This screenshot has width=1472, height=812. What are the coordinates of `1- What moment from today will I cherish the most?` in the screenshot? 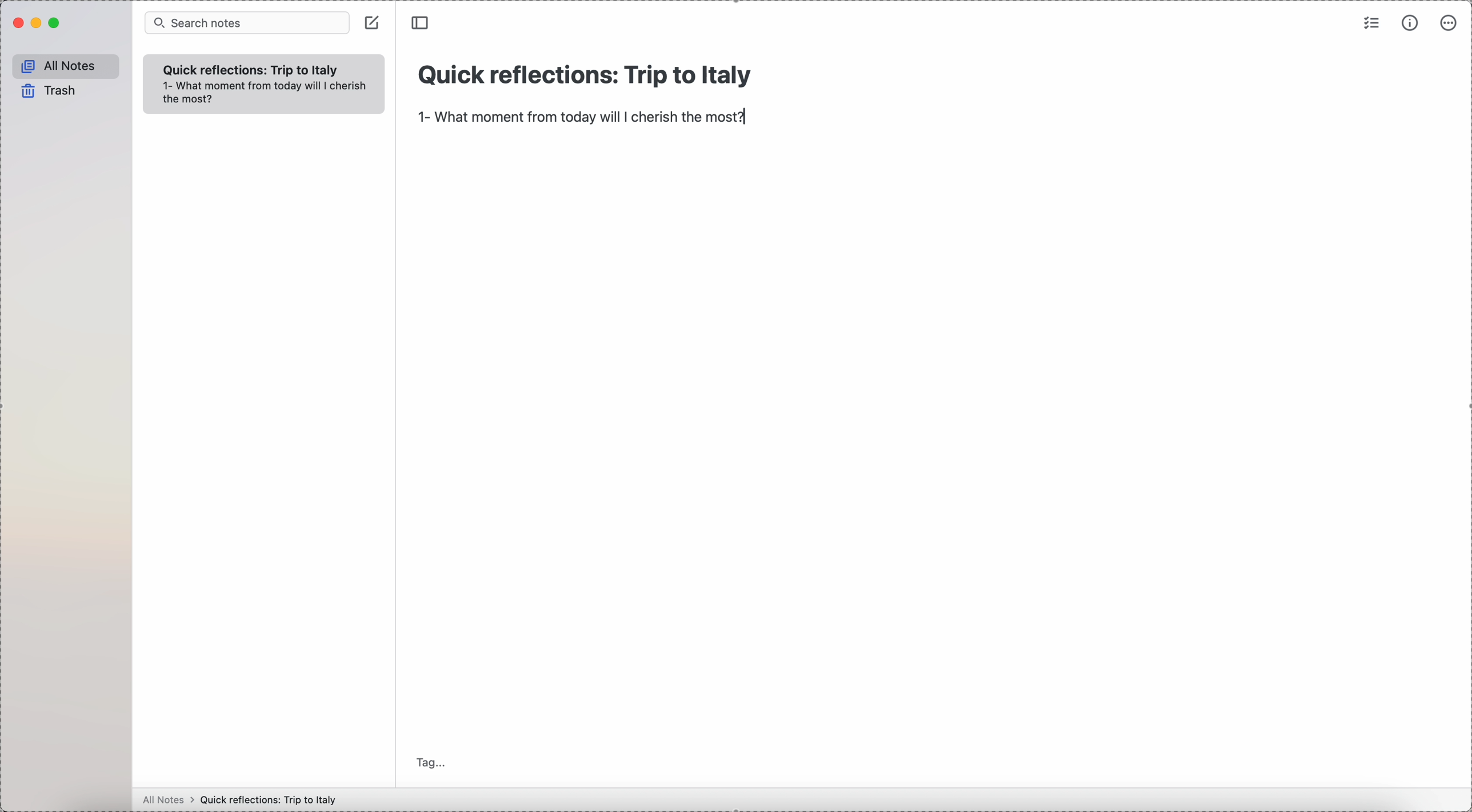 It's located at (266, 95).